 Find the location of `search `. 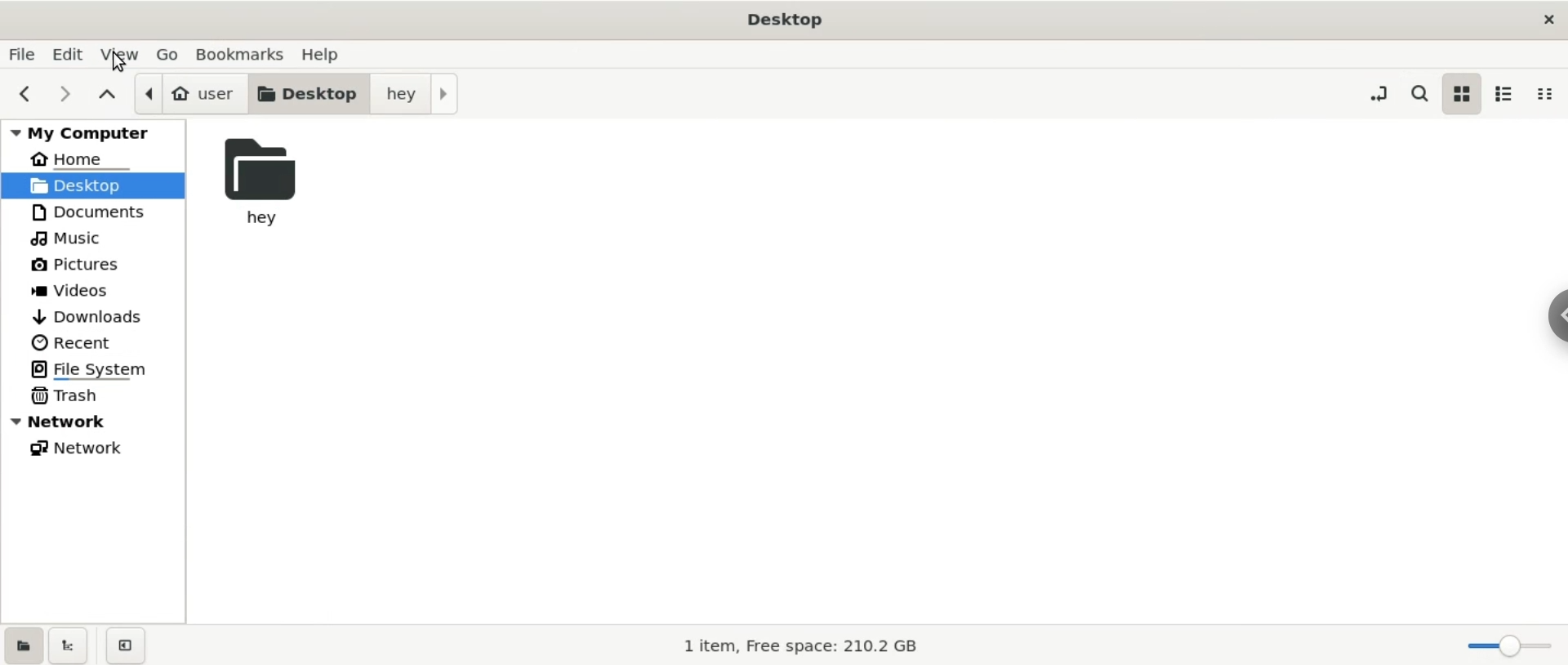

search  is located at coordinates (1418, 94).